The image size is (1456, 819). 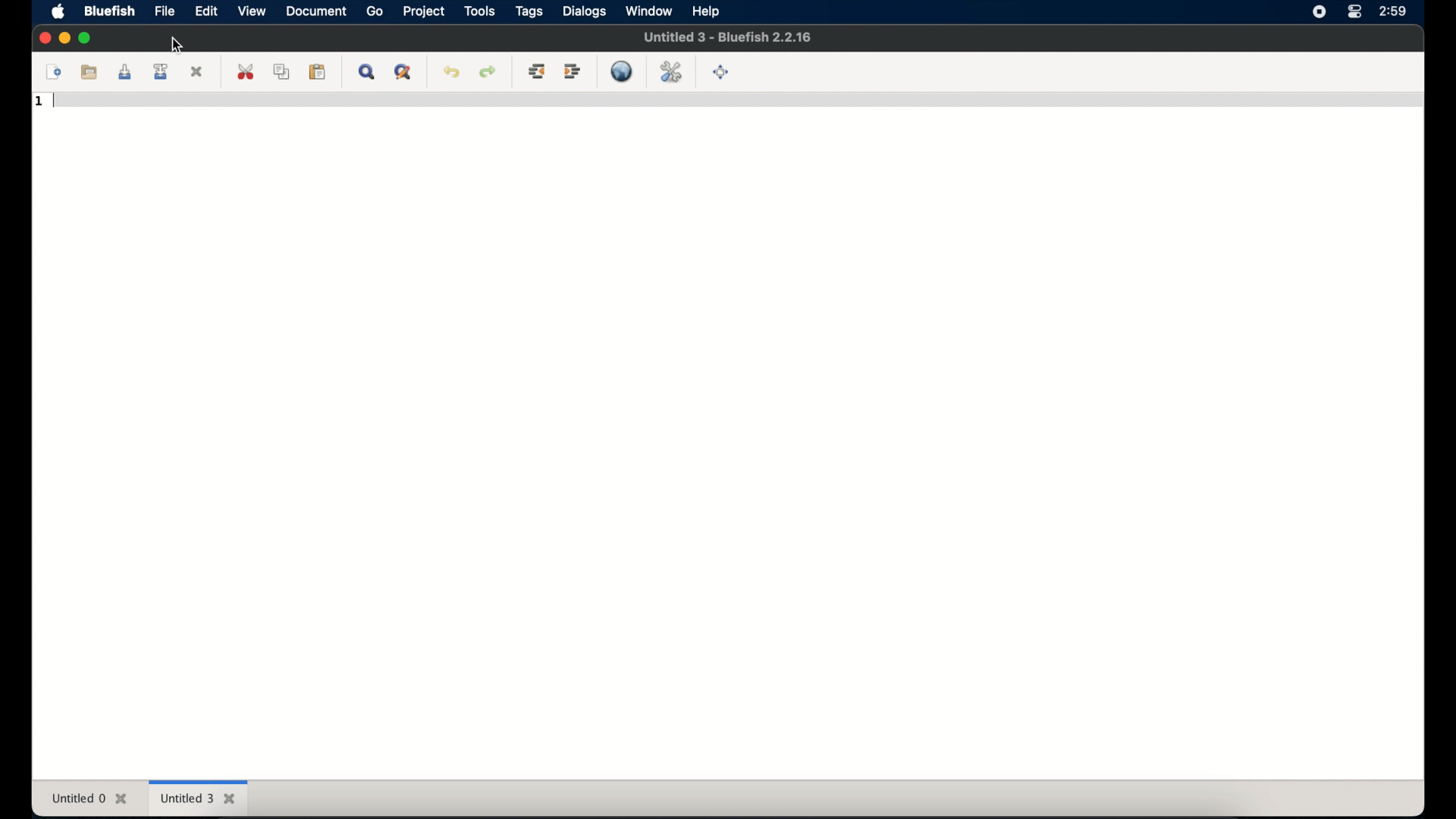 What do you see at coordinates (61, 11) in the screenshot?
I see `apple icon` at bounding box center [61, 11].